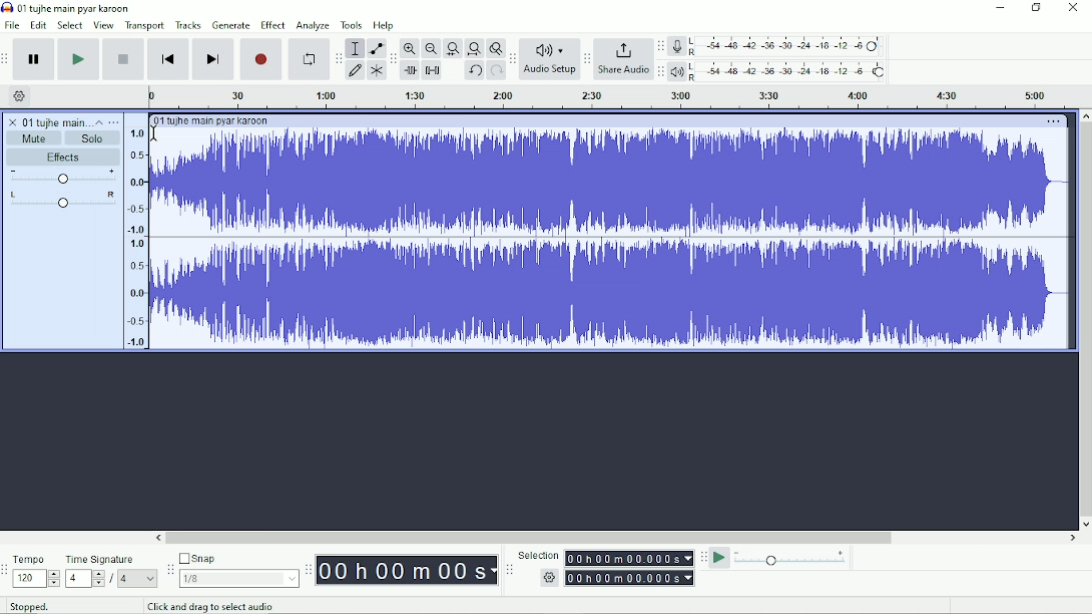  I want to click on Stop, so click(124, 60).